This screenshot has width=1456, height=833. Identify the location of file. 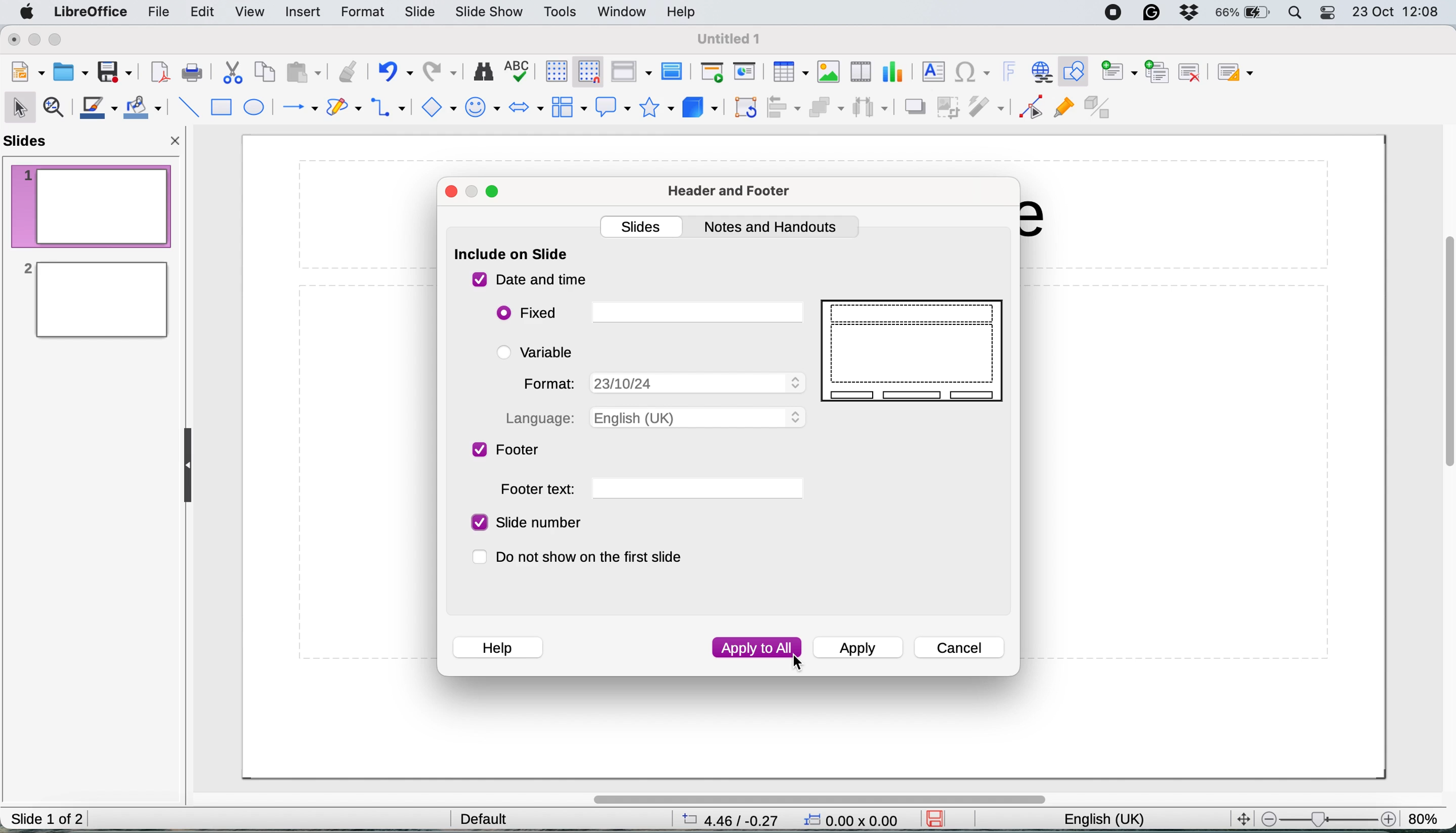
(161, 12).